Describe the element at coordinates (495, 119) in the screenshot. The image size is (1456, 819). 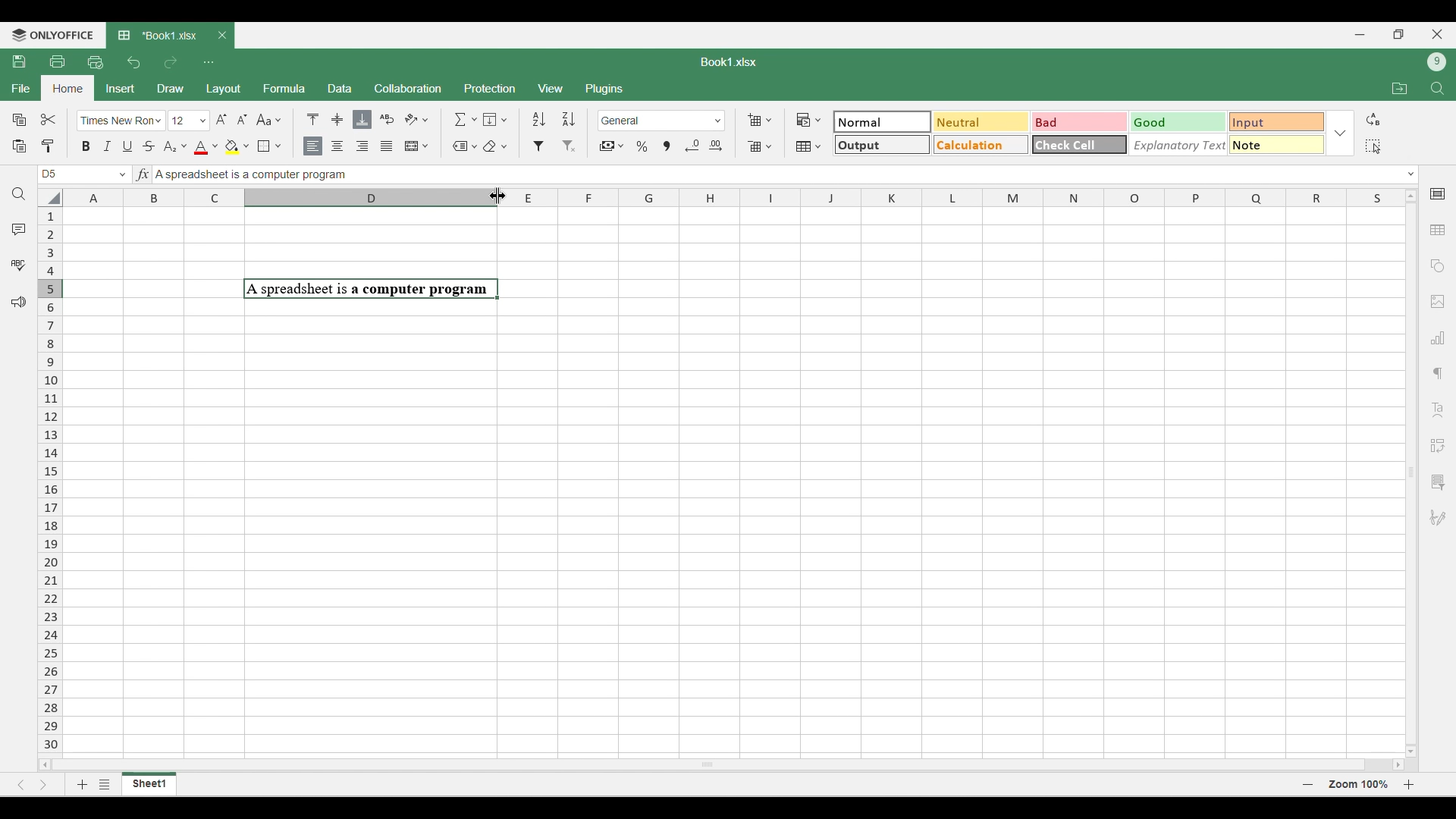
I see `Fill options` at that location.